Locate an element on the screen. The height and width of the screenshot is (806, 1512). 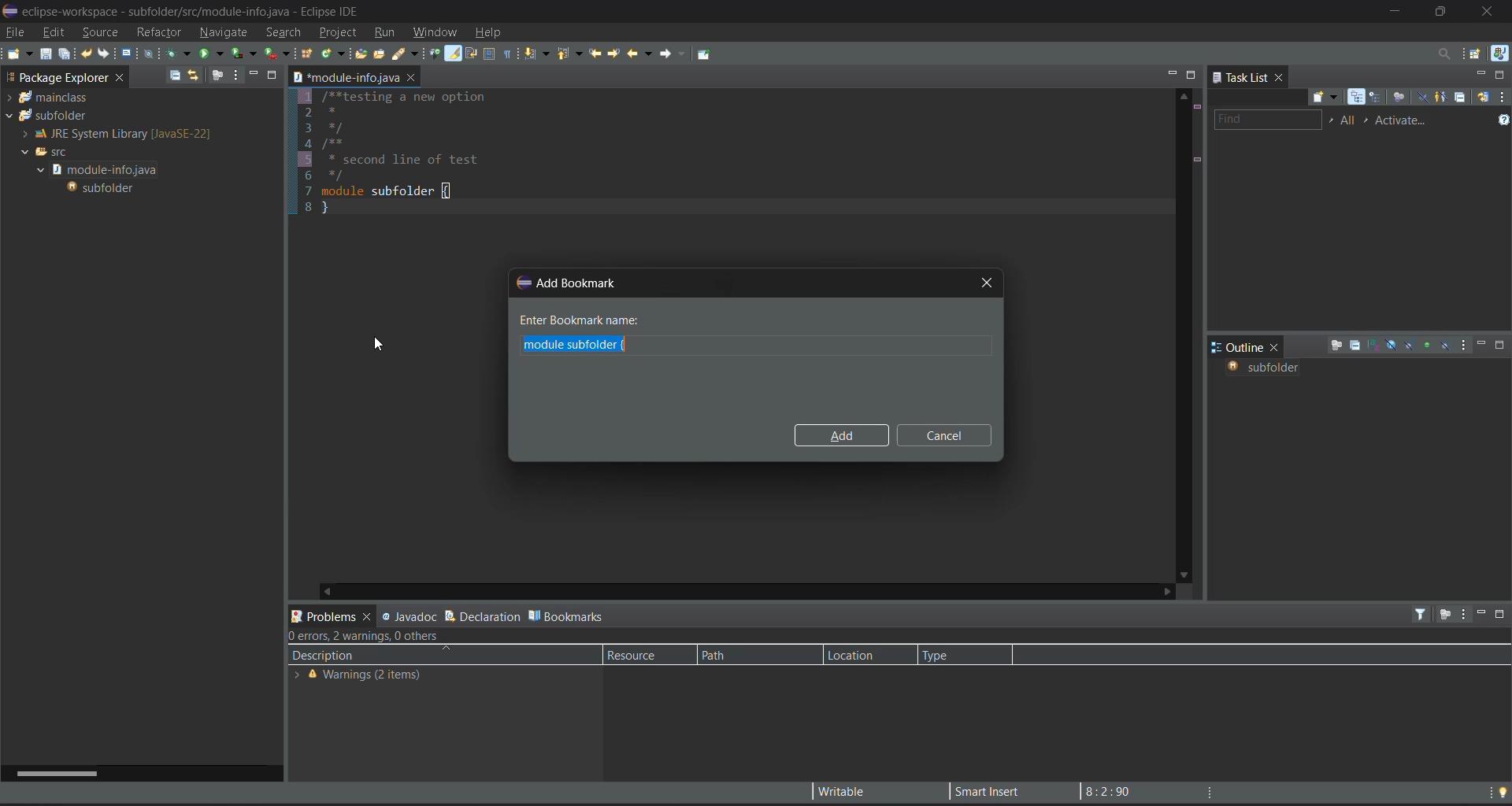
pin editor is located at coordinates (707, 54).